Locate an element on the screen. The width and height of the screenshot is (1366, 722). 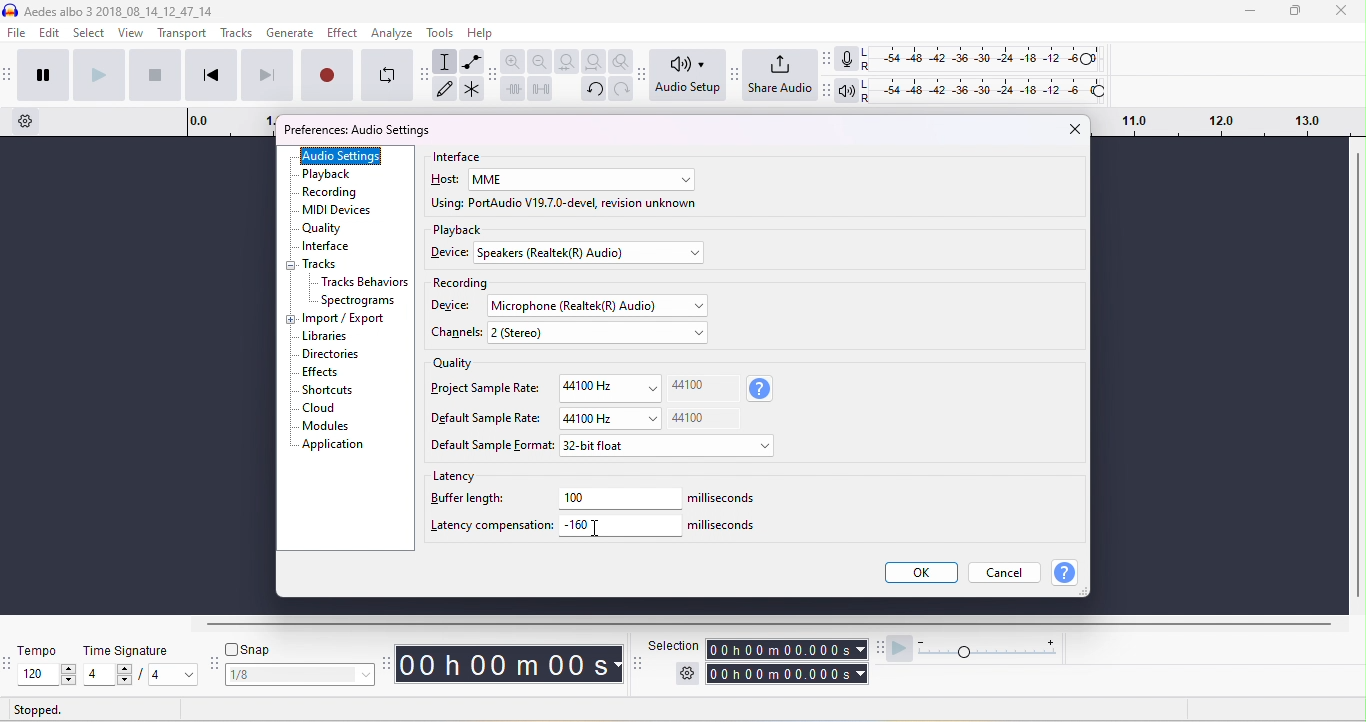
pause is located at coordinates (43, 73).